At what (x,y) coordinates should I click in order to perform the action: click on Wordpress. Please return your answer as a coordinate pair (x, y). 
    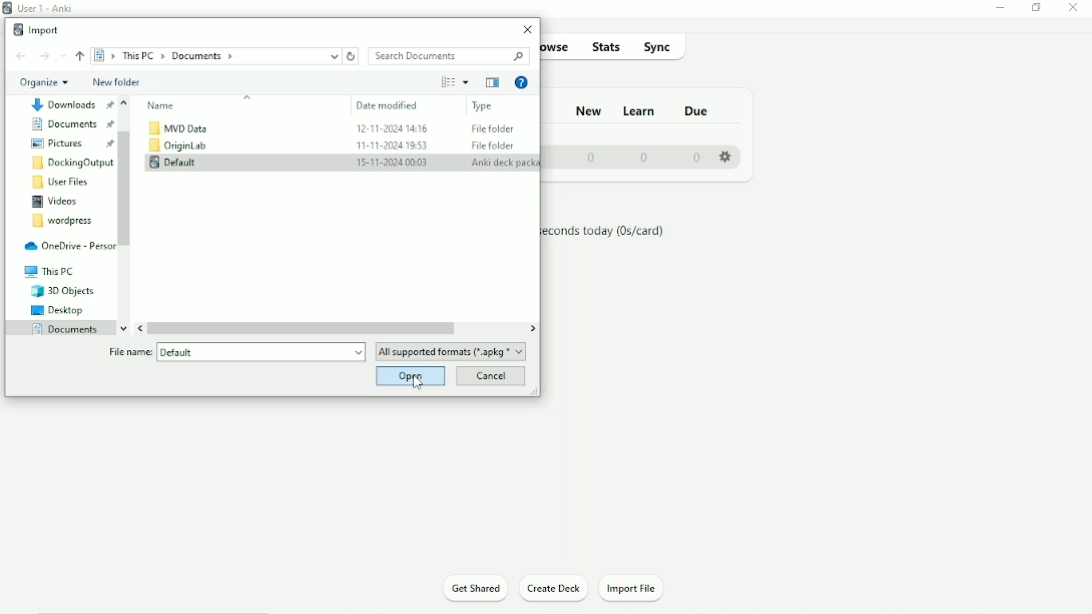
    Looking at the image, I should click on (62, 221).